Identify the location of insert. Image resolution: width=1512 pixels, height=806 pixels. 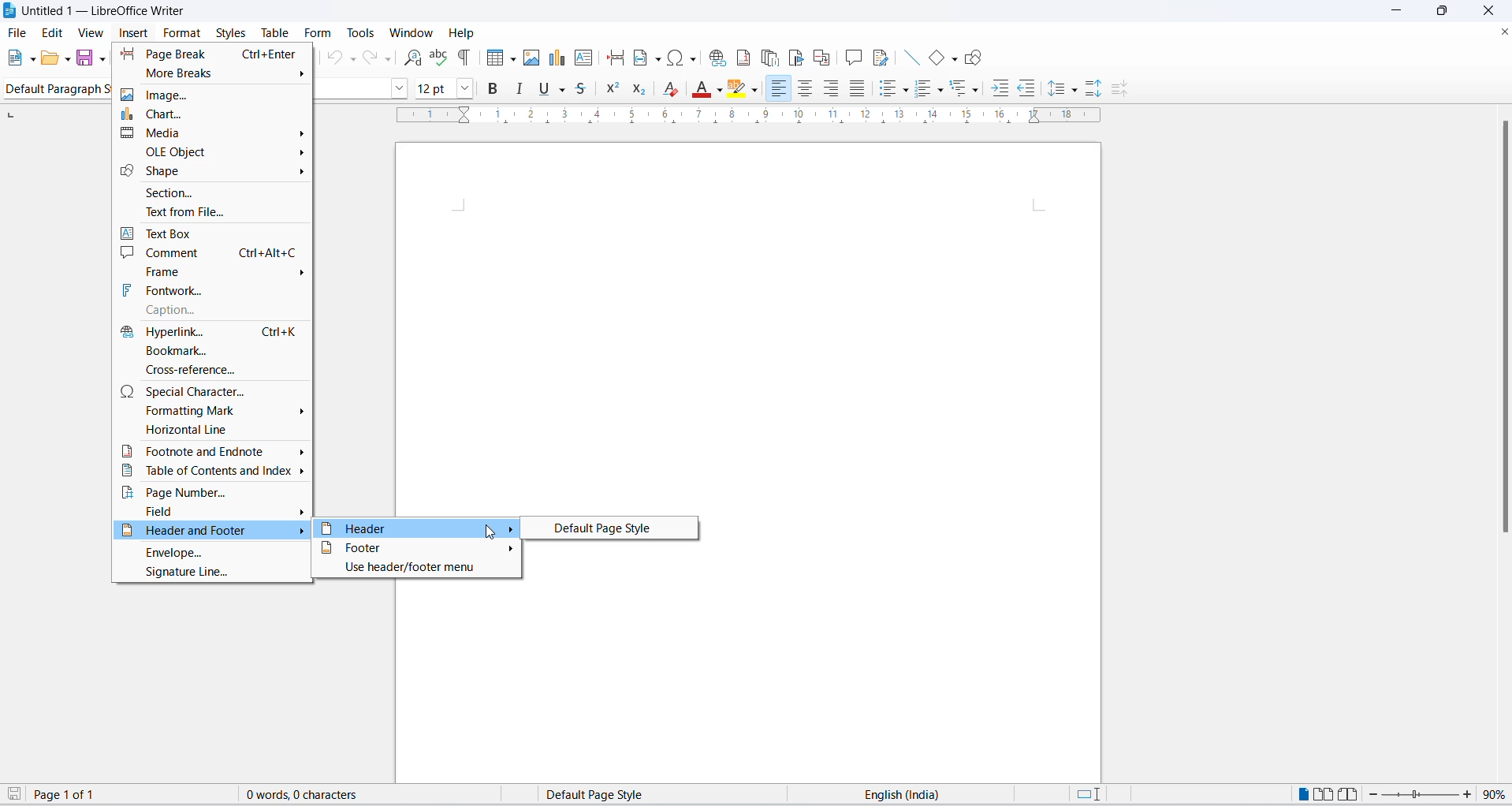
(134, 32).